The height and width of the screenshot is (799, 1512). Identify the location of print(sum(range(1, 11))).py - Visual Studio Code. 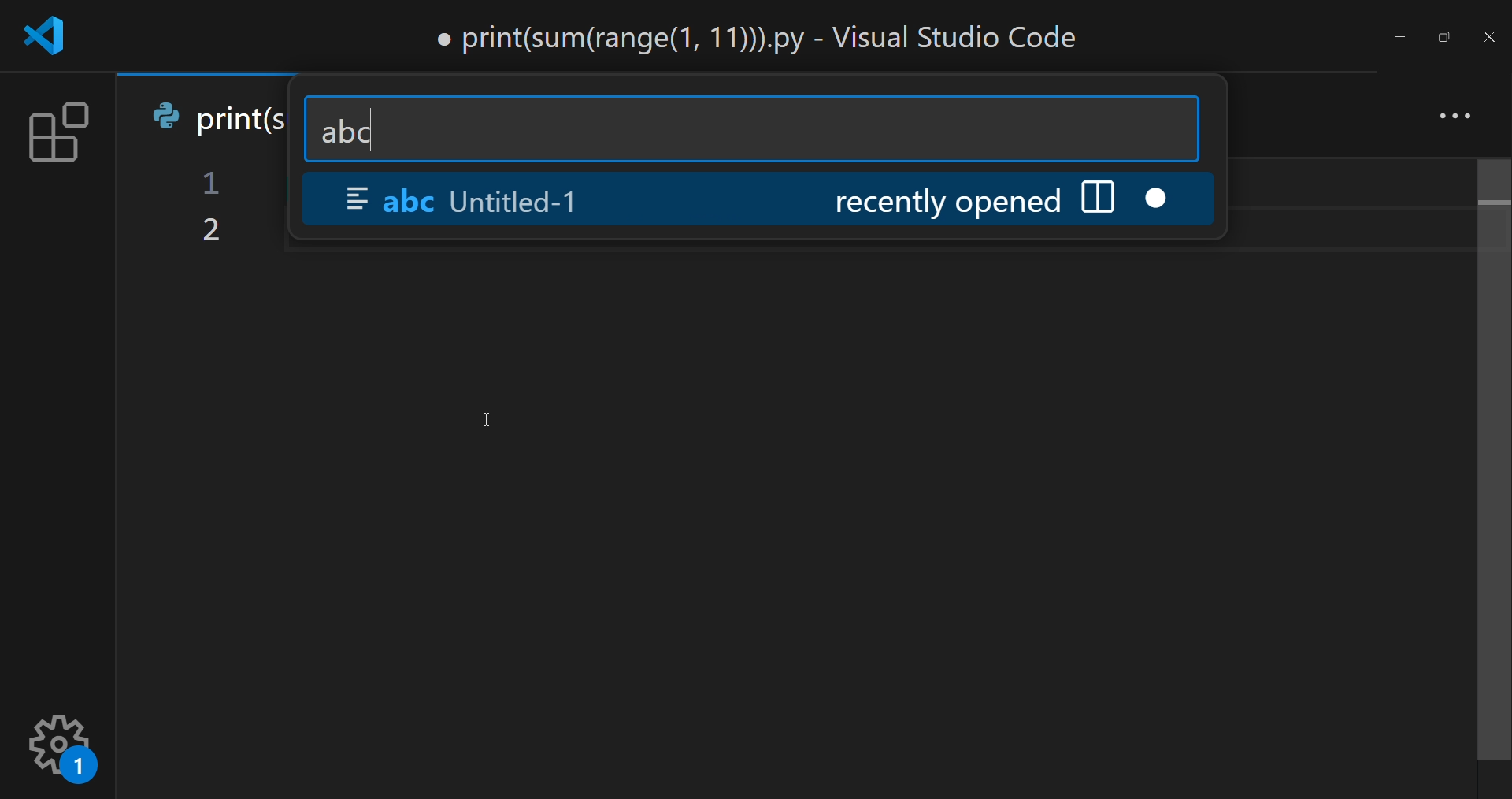
(765, 39).